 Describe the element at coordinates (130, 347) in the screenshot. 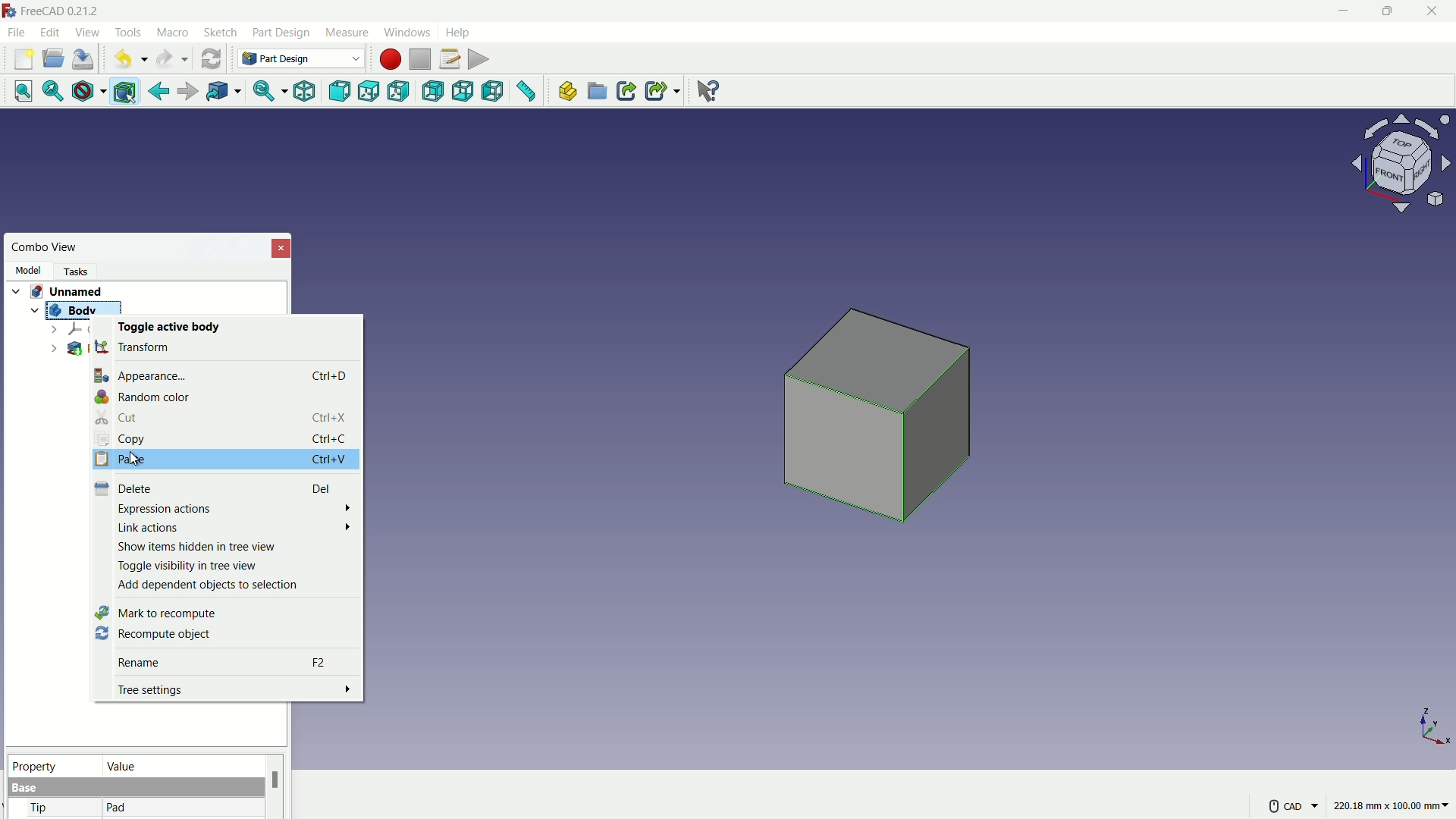

I see `transform` at that location.